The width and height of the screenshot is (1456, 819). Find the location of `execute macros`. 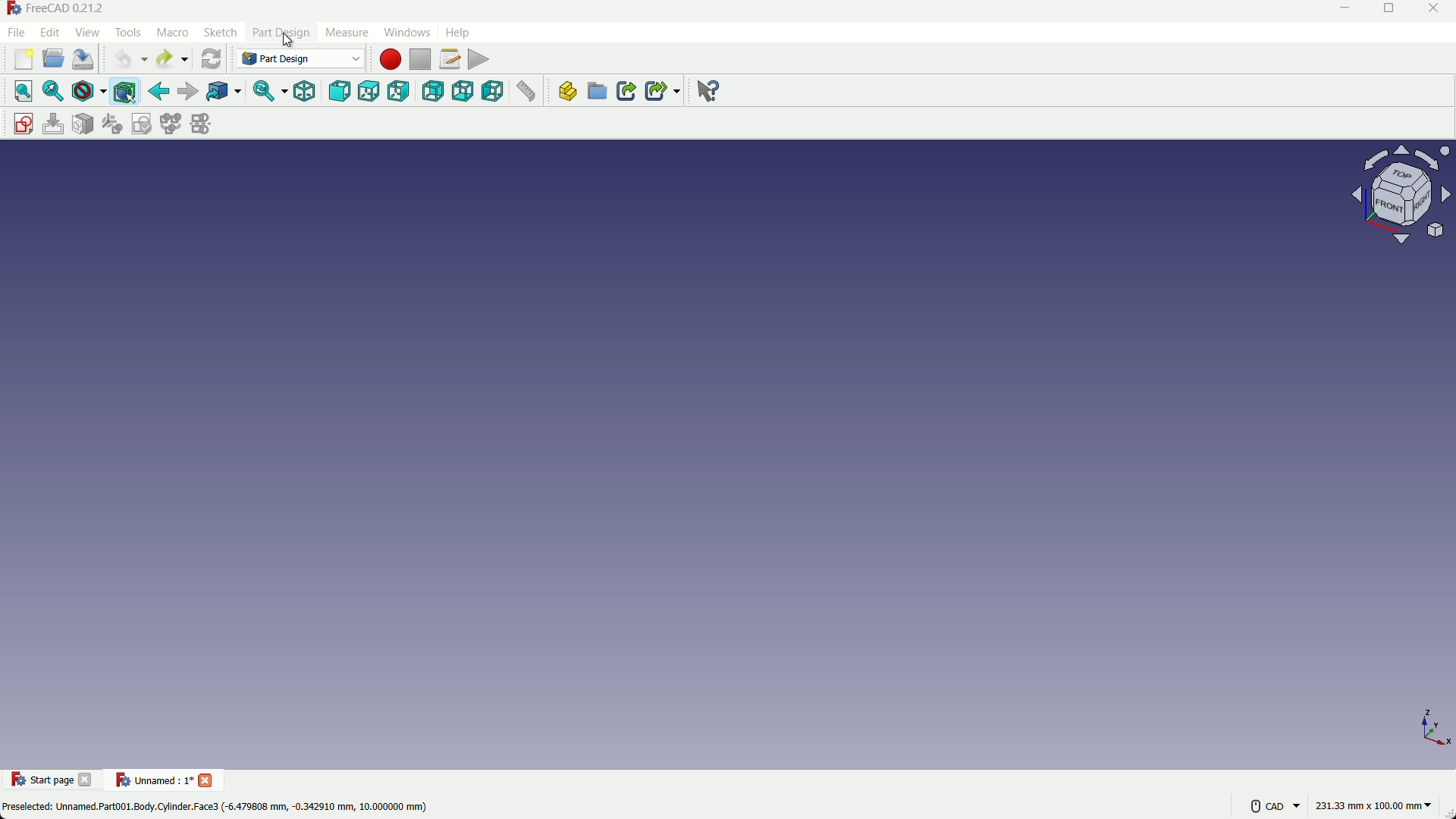

execute macros is located at coordinates (479, 59).